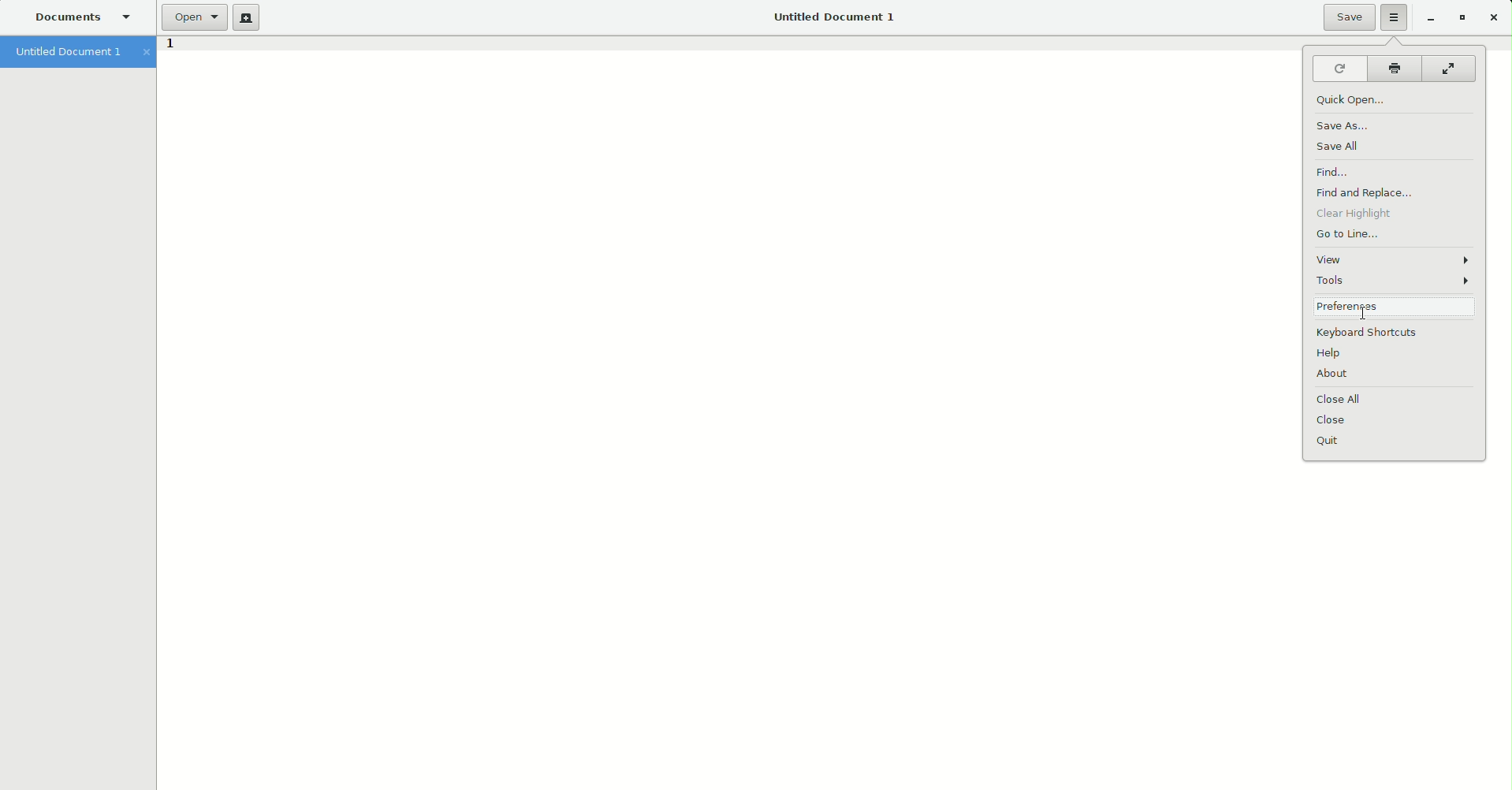 The width and height of the screenshot is (1512, 790). Describe the element at coordinates (1349, 17) in the screenshot. I see `Save` at that location.